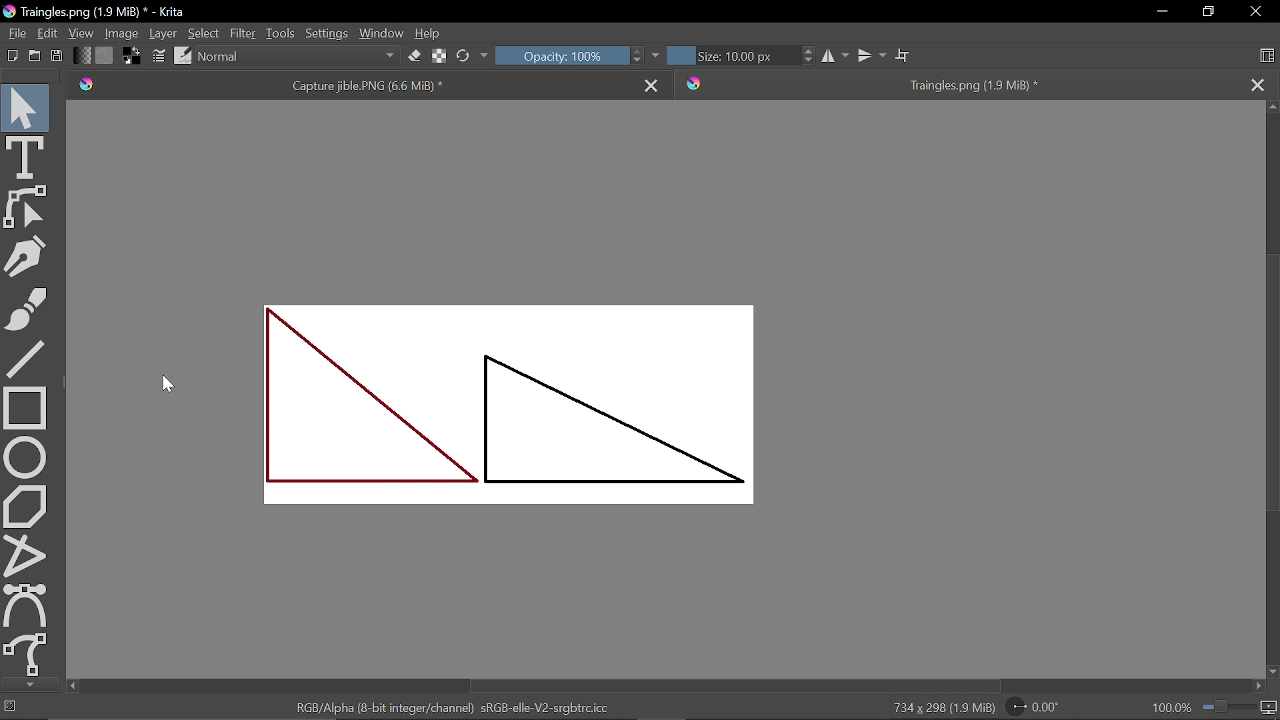  Describe the element at coordinates (1256, 11) in the screenshot. I see `Close` at that location.